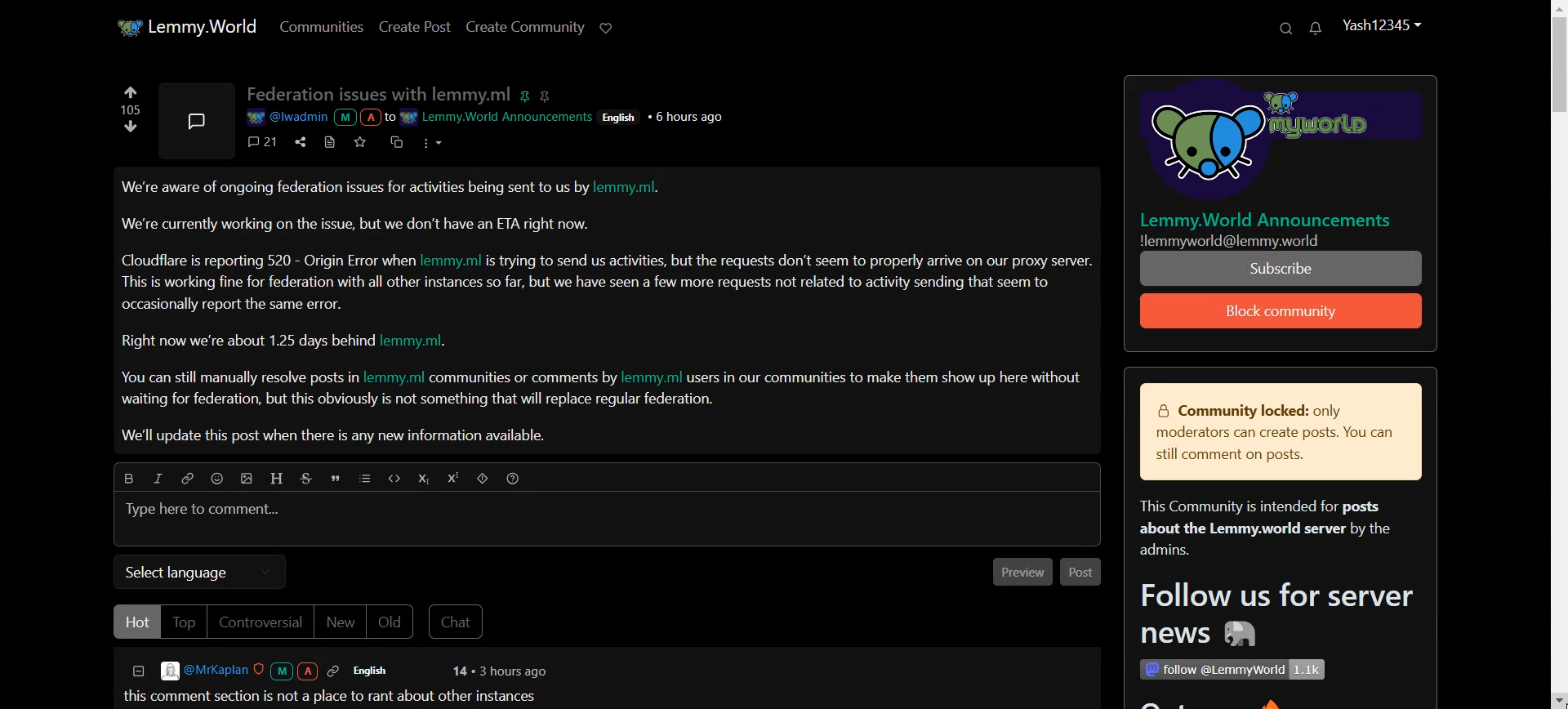 Image resolution: width=1568 pixels, height=709 pixels. Describe the element at coordinates (394, 478) in the screenshot. I see `Code` at that location.